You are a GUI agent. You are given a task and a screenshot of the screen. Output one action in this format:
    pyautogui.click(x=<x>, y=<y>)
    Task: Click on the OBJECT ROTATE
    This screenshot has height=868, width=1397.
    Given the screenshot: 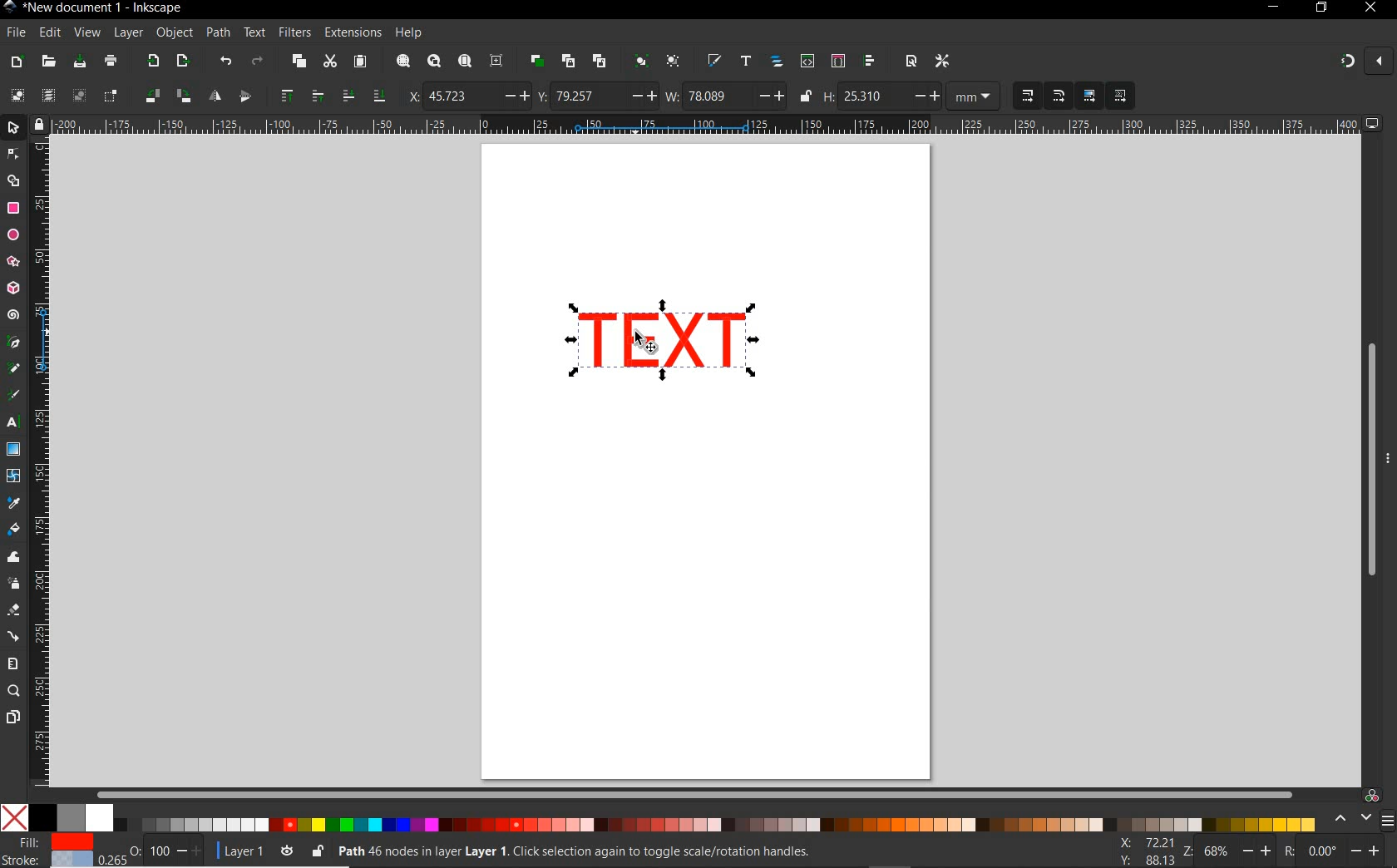 What is the action you would take?
    pyautogui.click(x=167, y=95)
    